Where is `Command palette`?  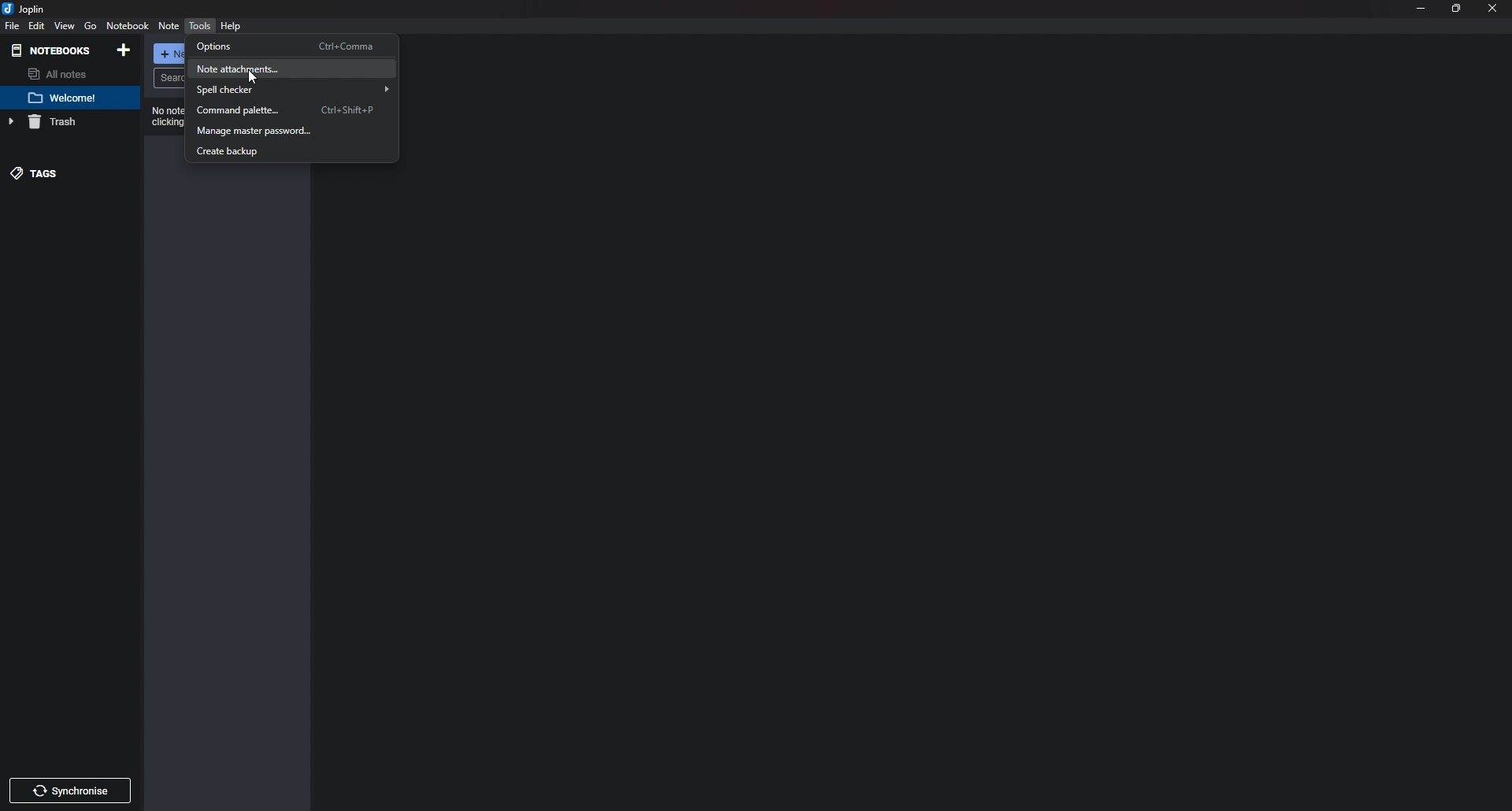 Command palette is located at coordinates (291, 110).